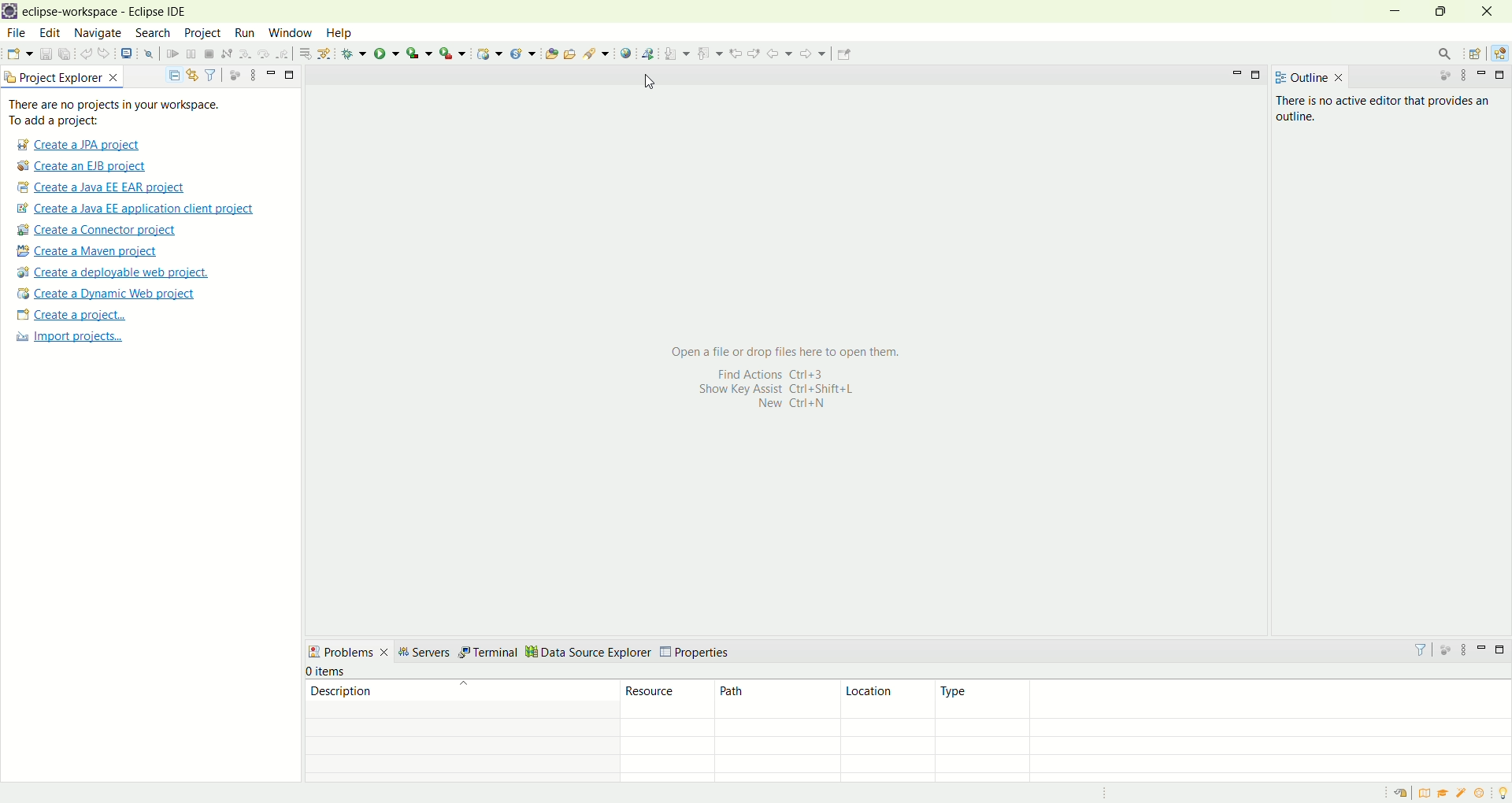  What do you see at coordinates (842, 56) in the screenshot?
I see `Pin editor` at bounding box center [842, 56].